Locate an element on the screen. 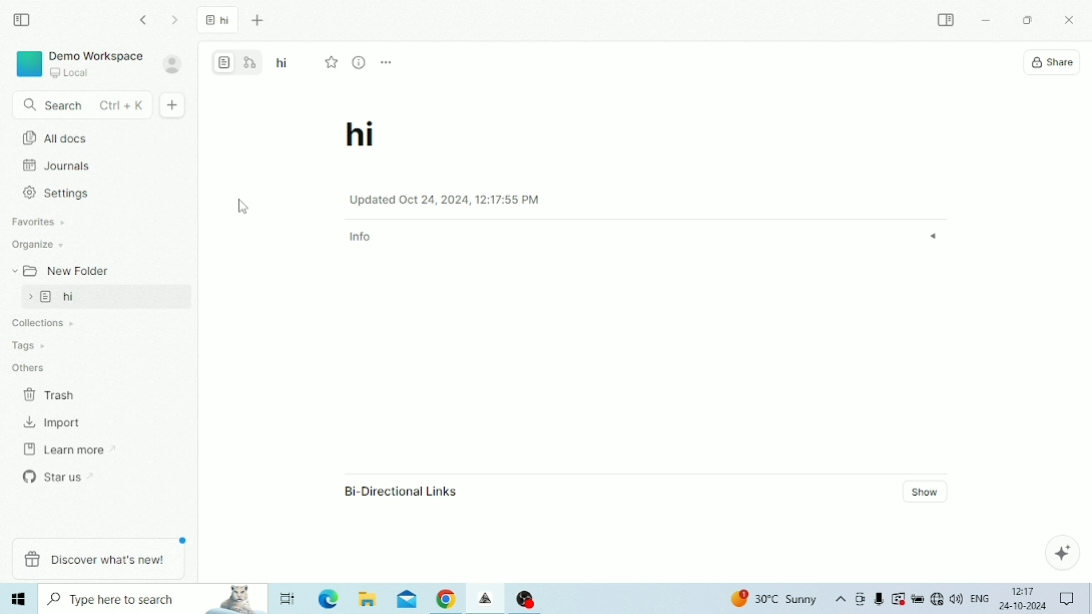 This screenshot has width=1092, height=614. Go back is located at coordinates (146, 20).